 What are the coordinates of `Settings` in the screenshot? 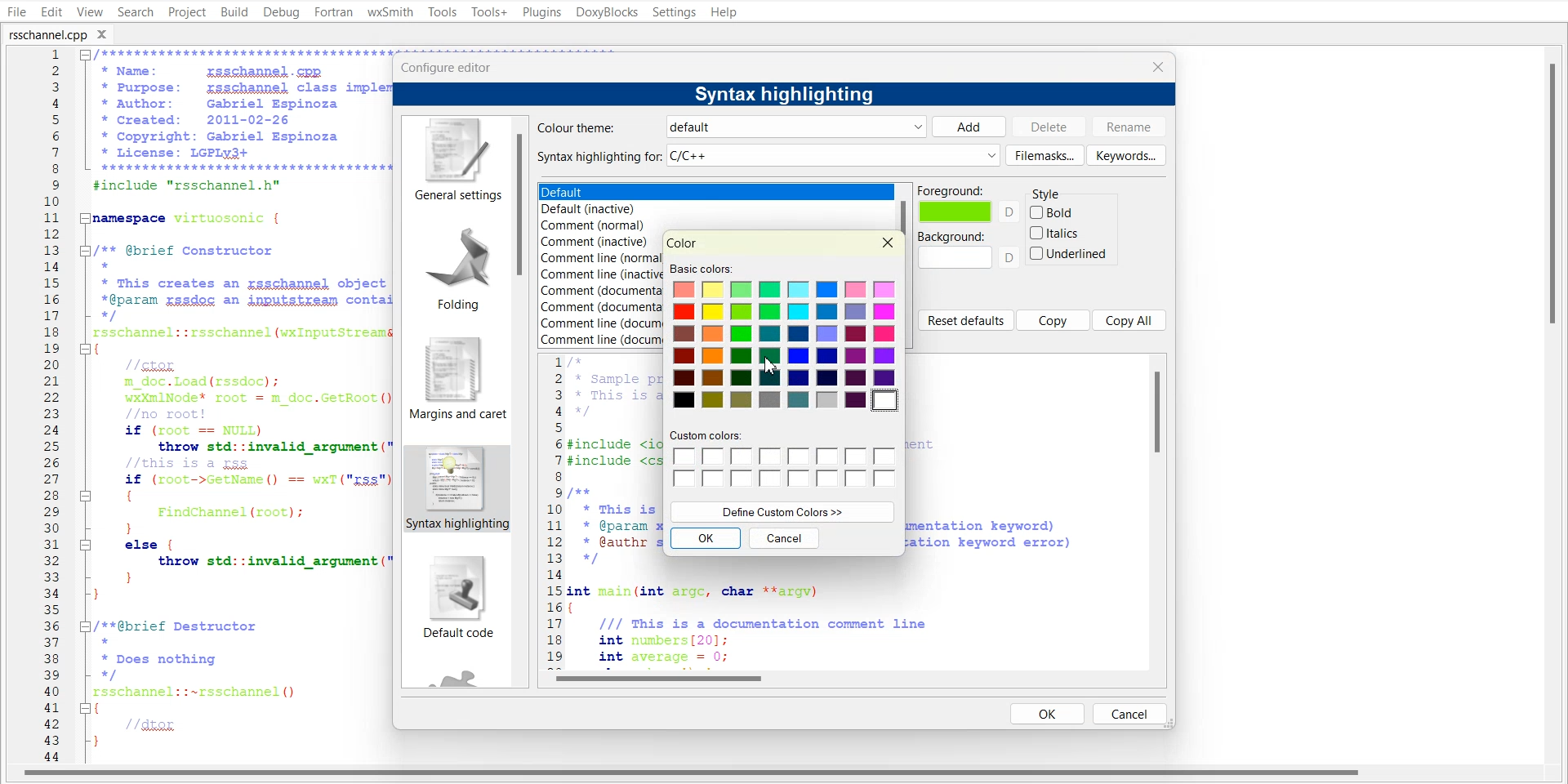 It's located at (675, 11).